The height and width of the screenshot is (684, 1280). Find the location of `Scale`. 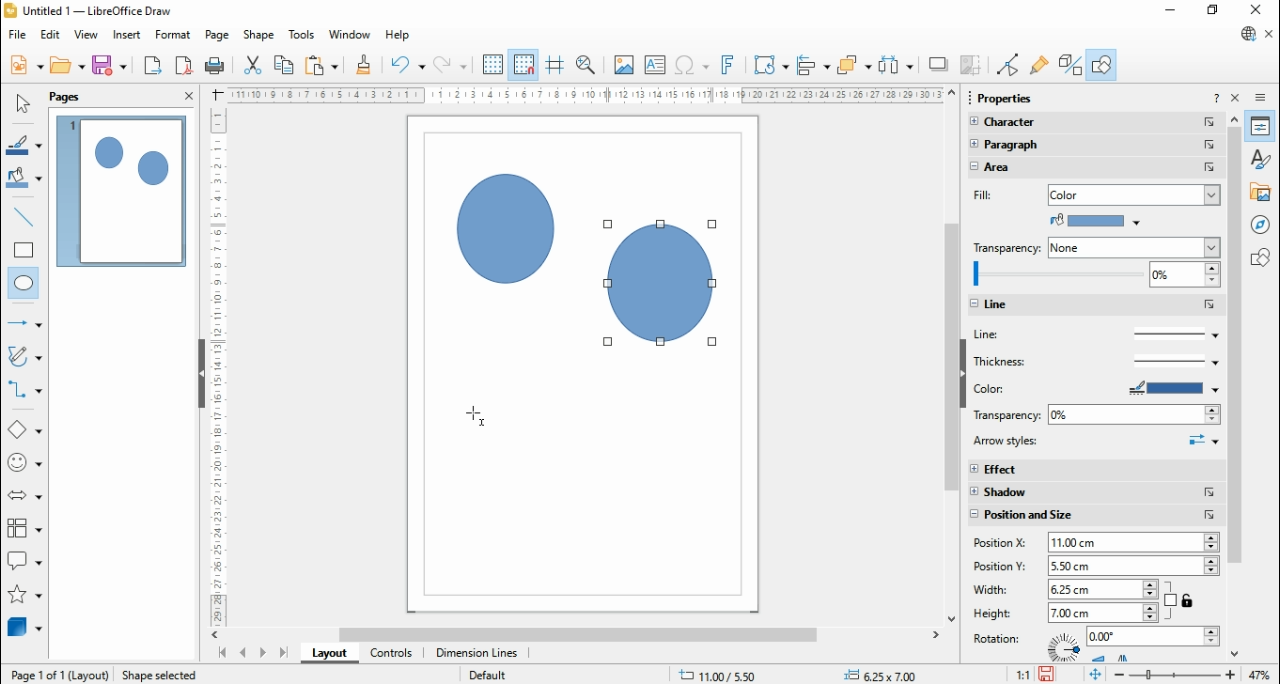

Scale is located at coordinates (217, 363).